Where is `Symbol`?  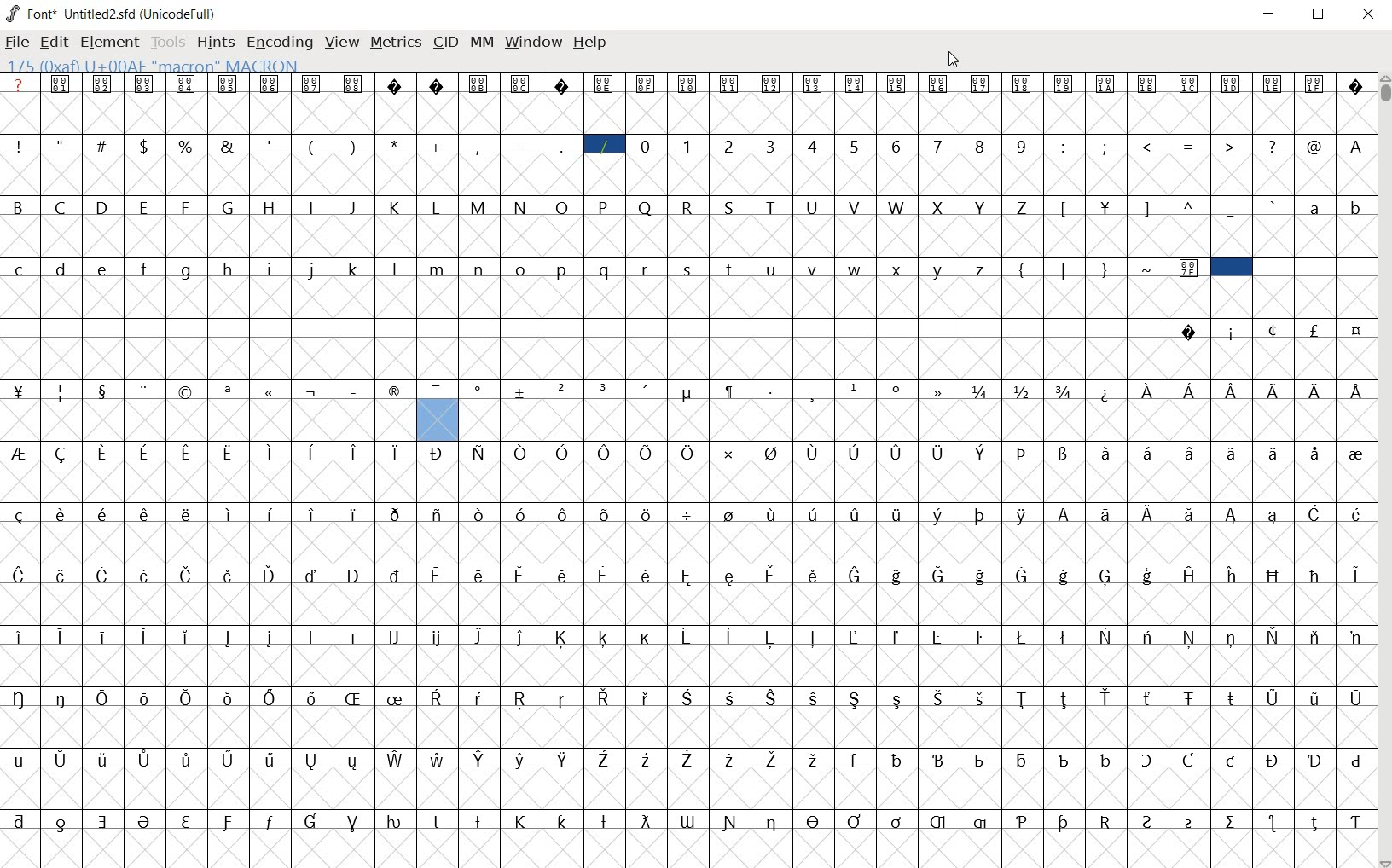 Symbol is located at coordinates (1354, 636).